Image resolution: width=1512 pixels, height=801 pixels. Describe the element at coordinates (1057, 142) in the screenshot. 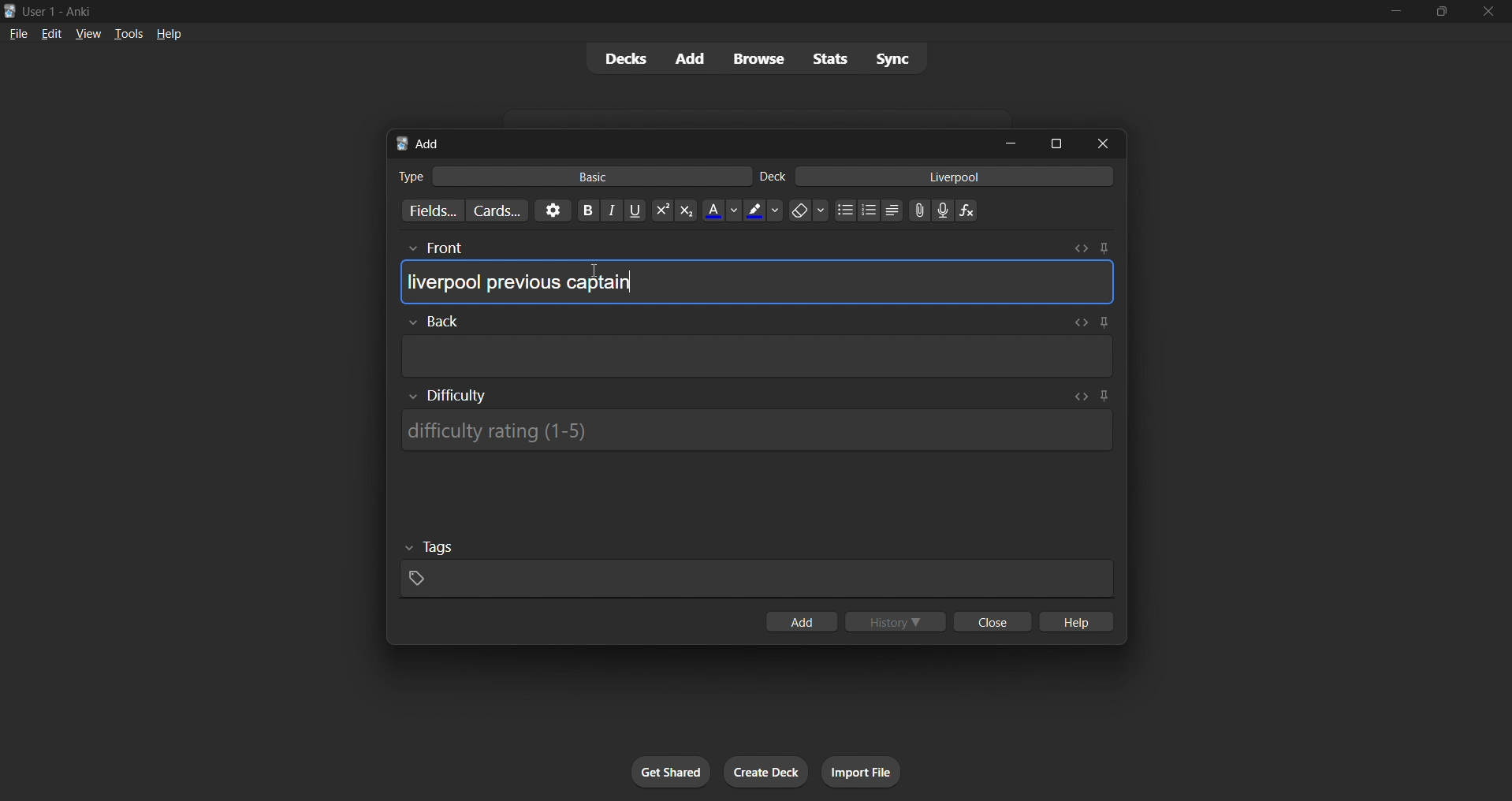

I see `maximize` at that location.